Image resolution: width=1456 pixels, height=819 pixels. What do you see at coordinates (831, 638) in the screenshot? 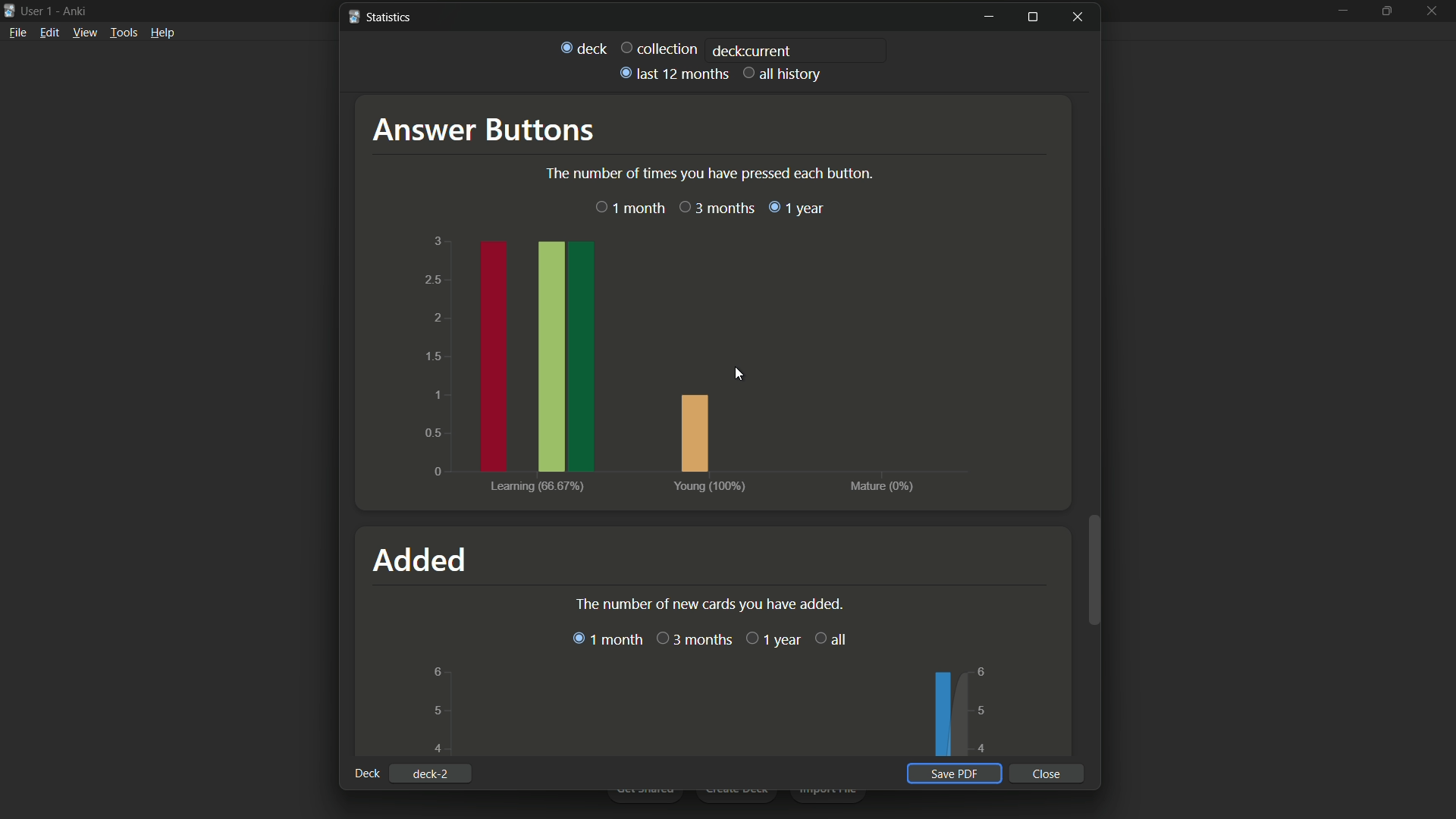
I see `all` at bounding box center [831, 638].